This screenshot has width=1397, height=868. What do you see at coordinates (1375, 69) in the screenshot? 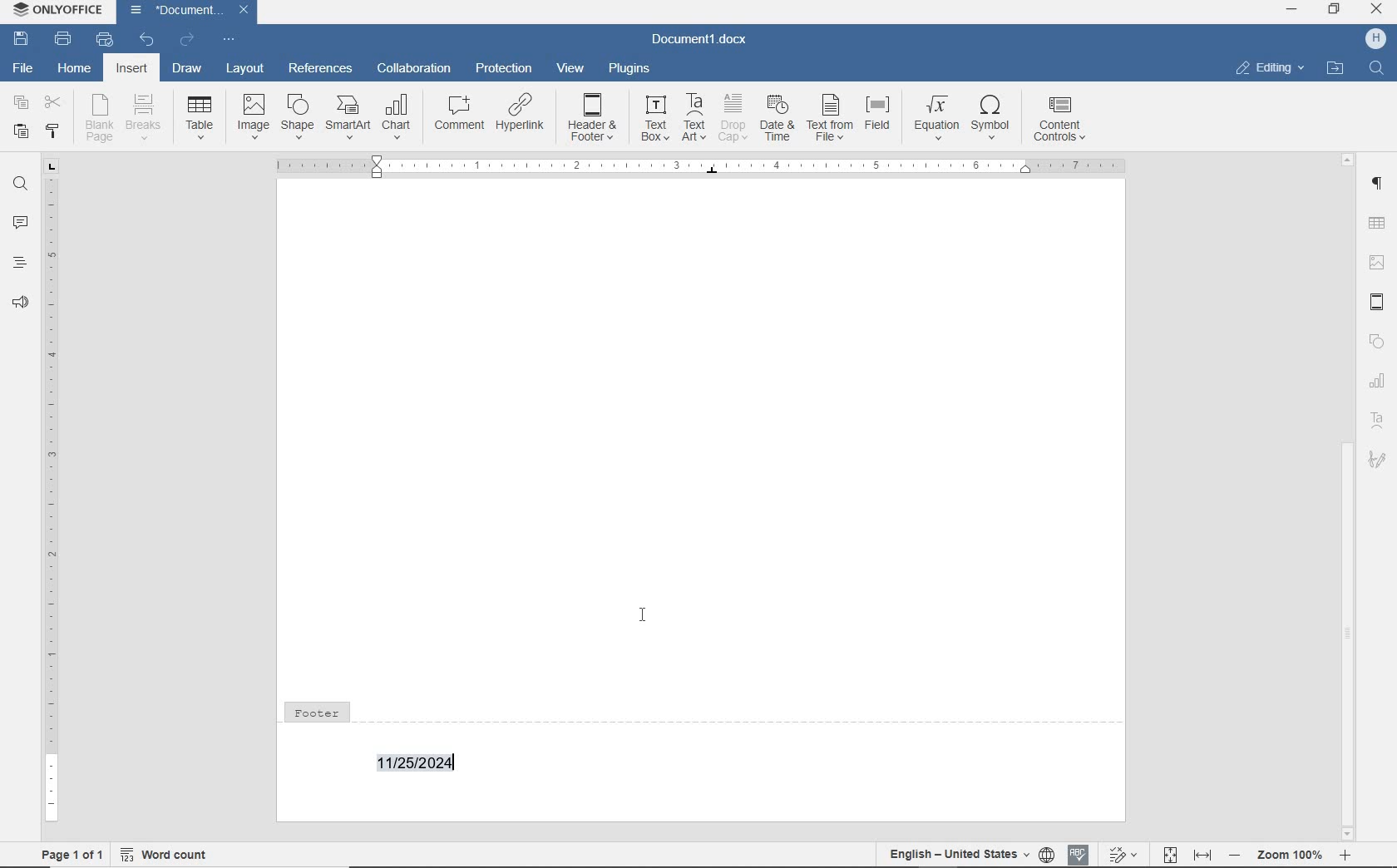
I see `find` at bounding box center [1375, 69].